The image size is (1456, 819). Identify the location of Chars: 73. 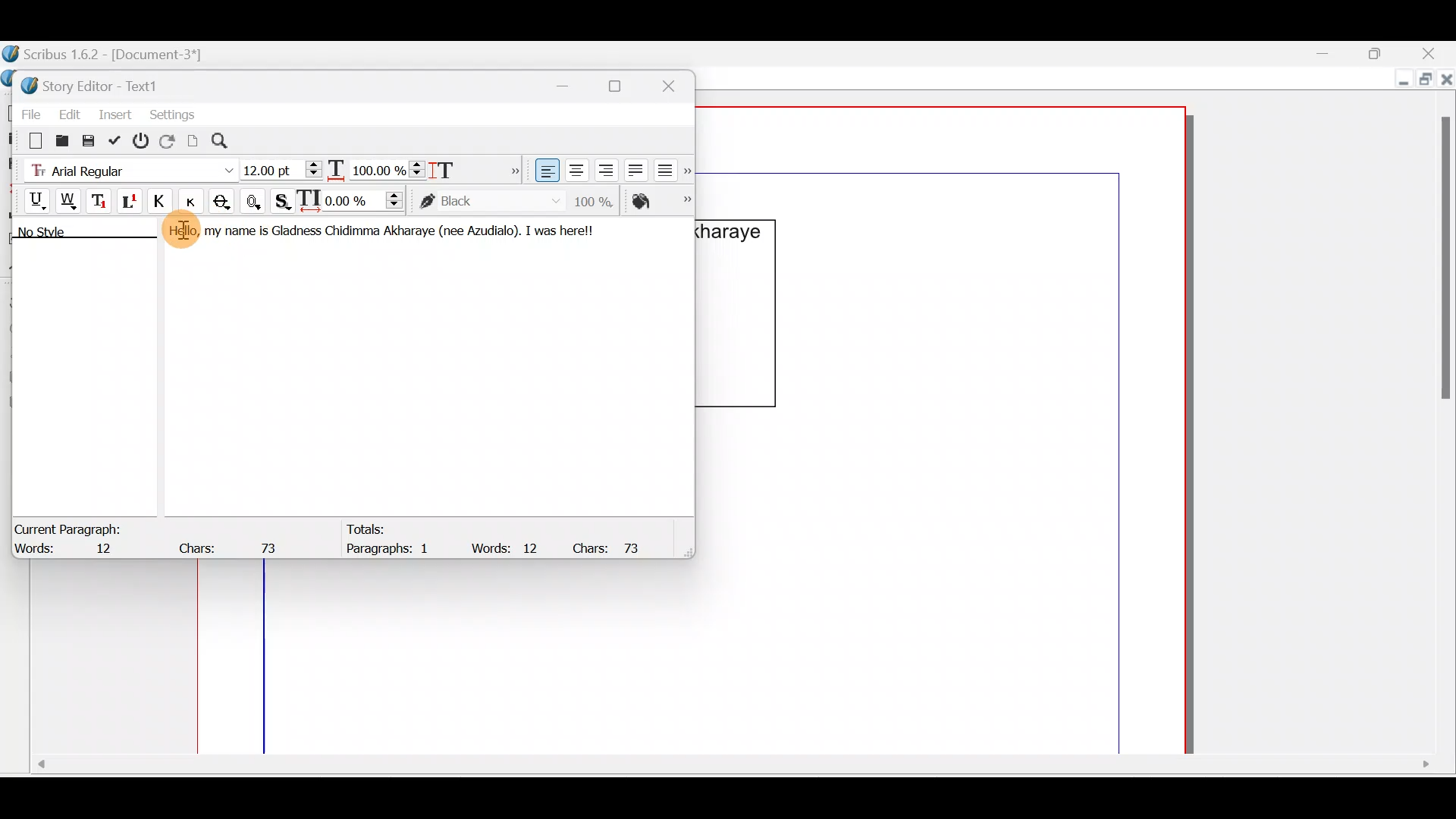
(613, 547).